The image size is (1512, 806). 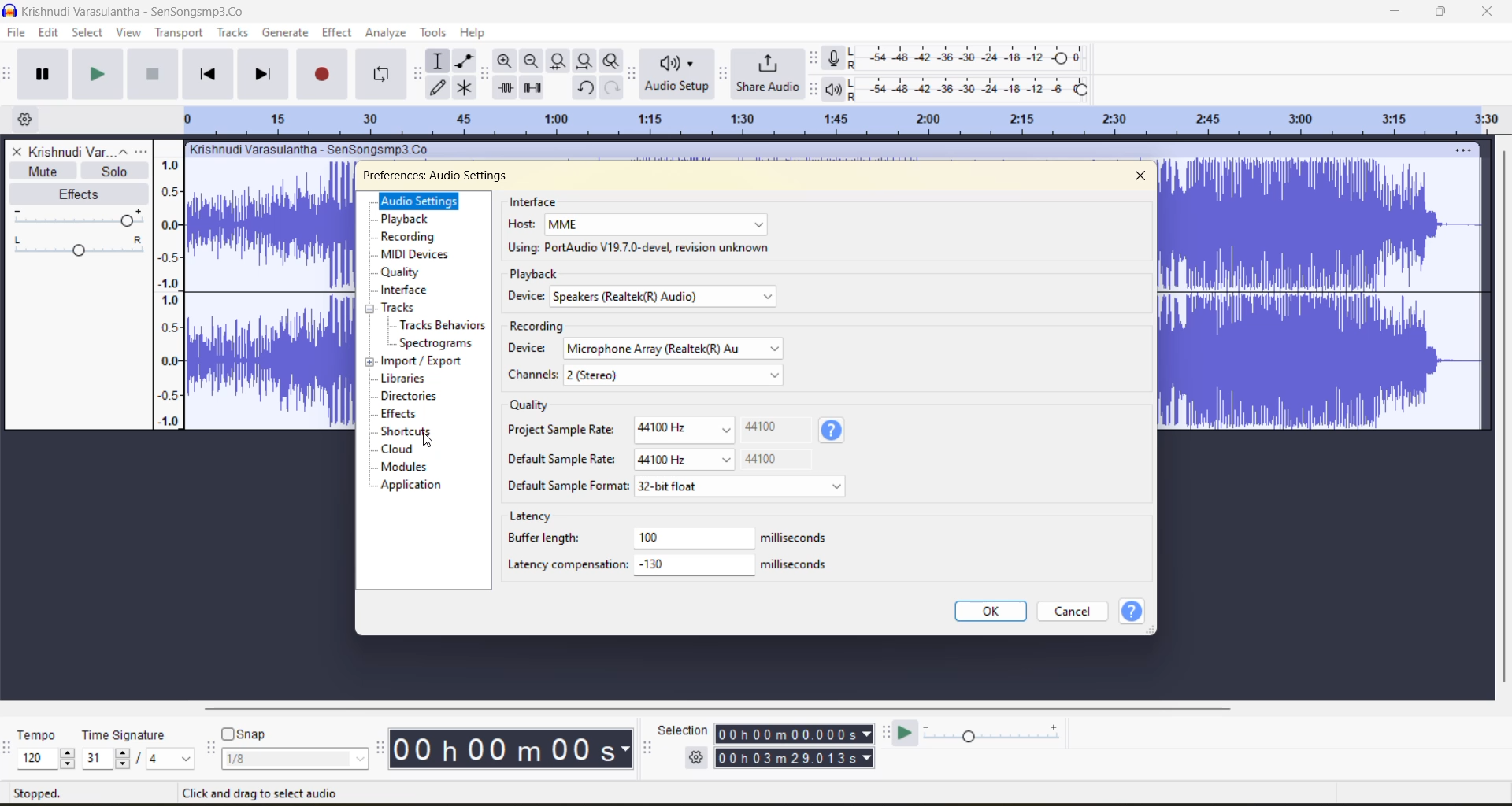 What do you see at coordinates (534, 516) in the screenshot?
I see `latency` at bounding box center [534, 516].